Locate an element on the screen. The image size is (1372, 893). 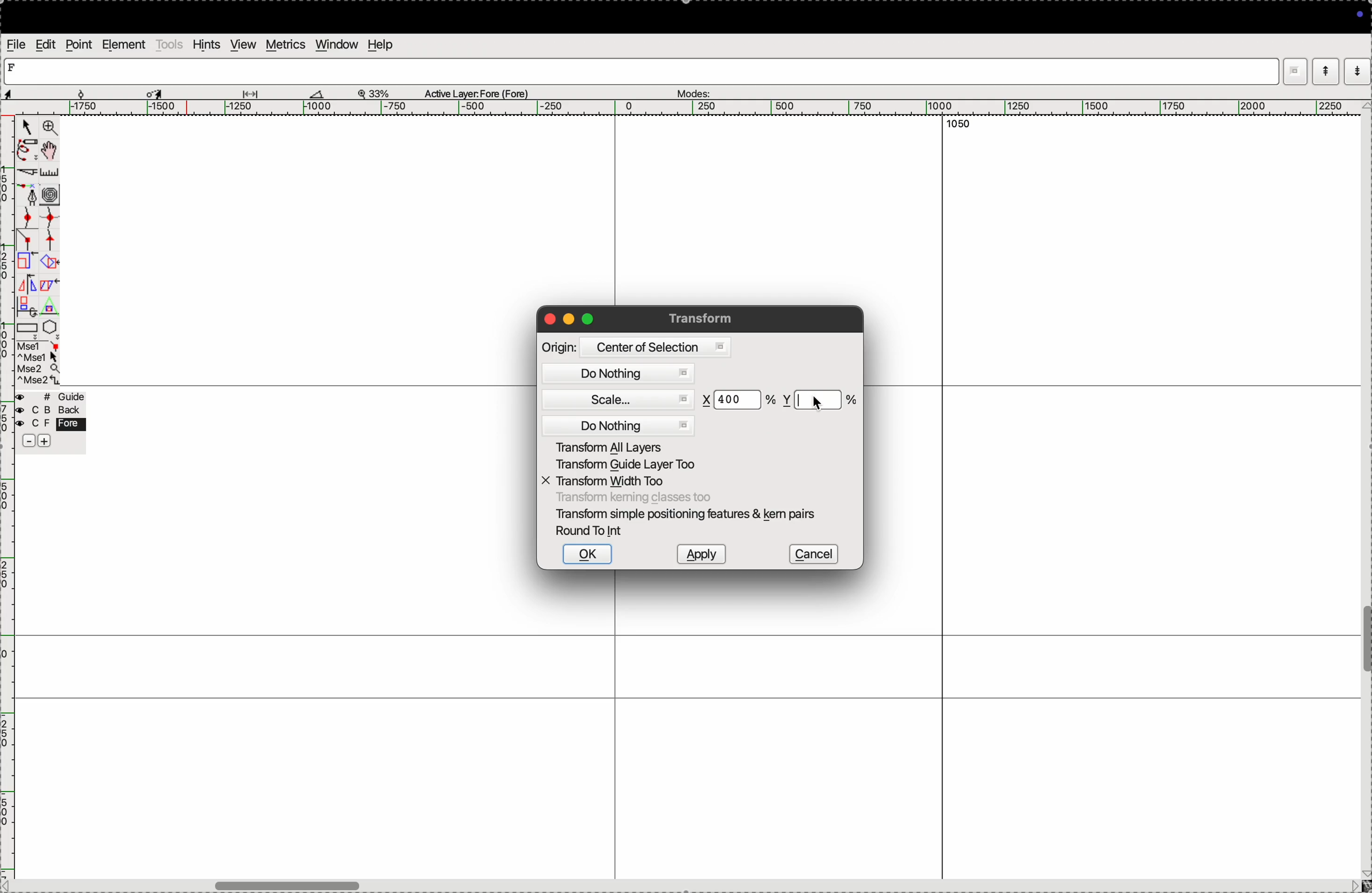
fore is located at coordinates (52, 425).